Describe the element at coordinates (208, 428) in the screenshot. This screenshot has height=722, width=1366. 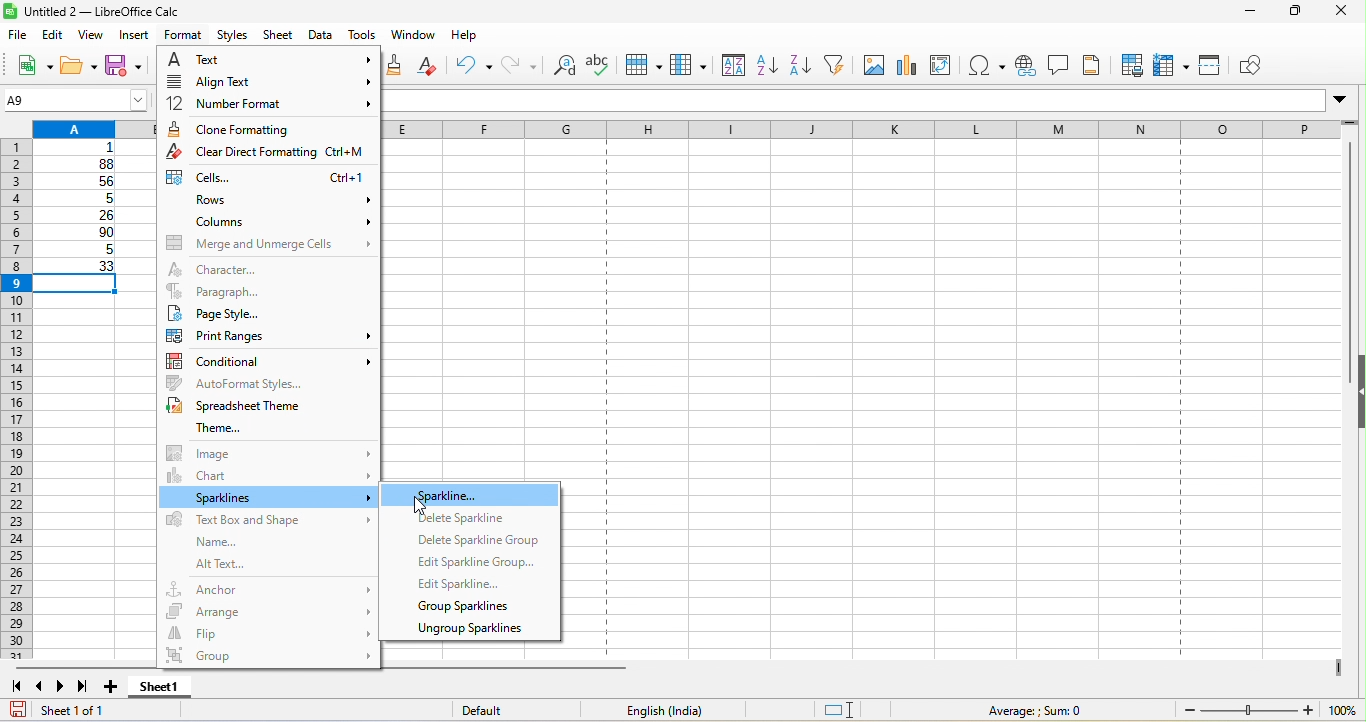
I see `theme` at that location.